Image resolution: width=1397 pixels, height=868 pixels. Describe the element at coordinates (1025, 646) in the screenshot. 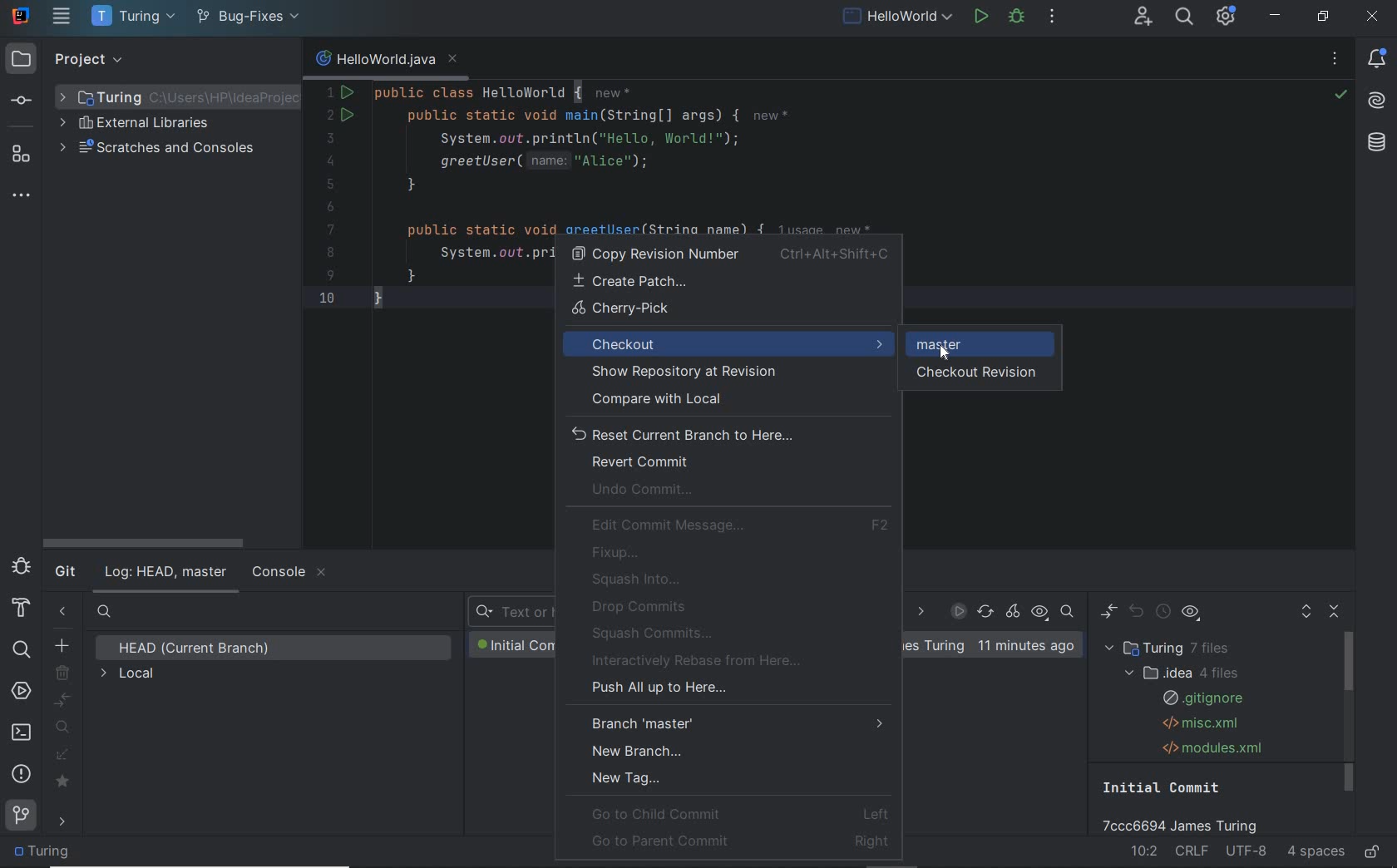

I see `time` at that location.